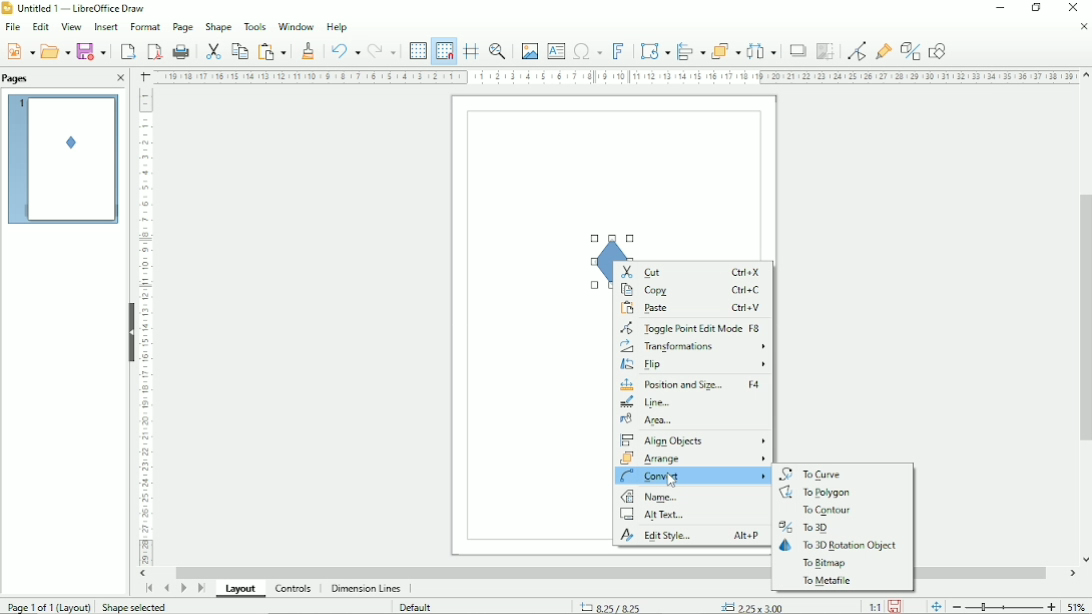 Image resolution: width=1092 pixels, height=614 pixels. I want to click on Controls, so click(294, 589).